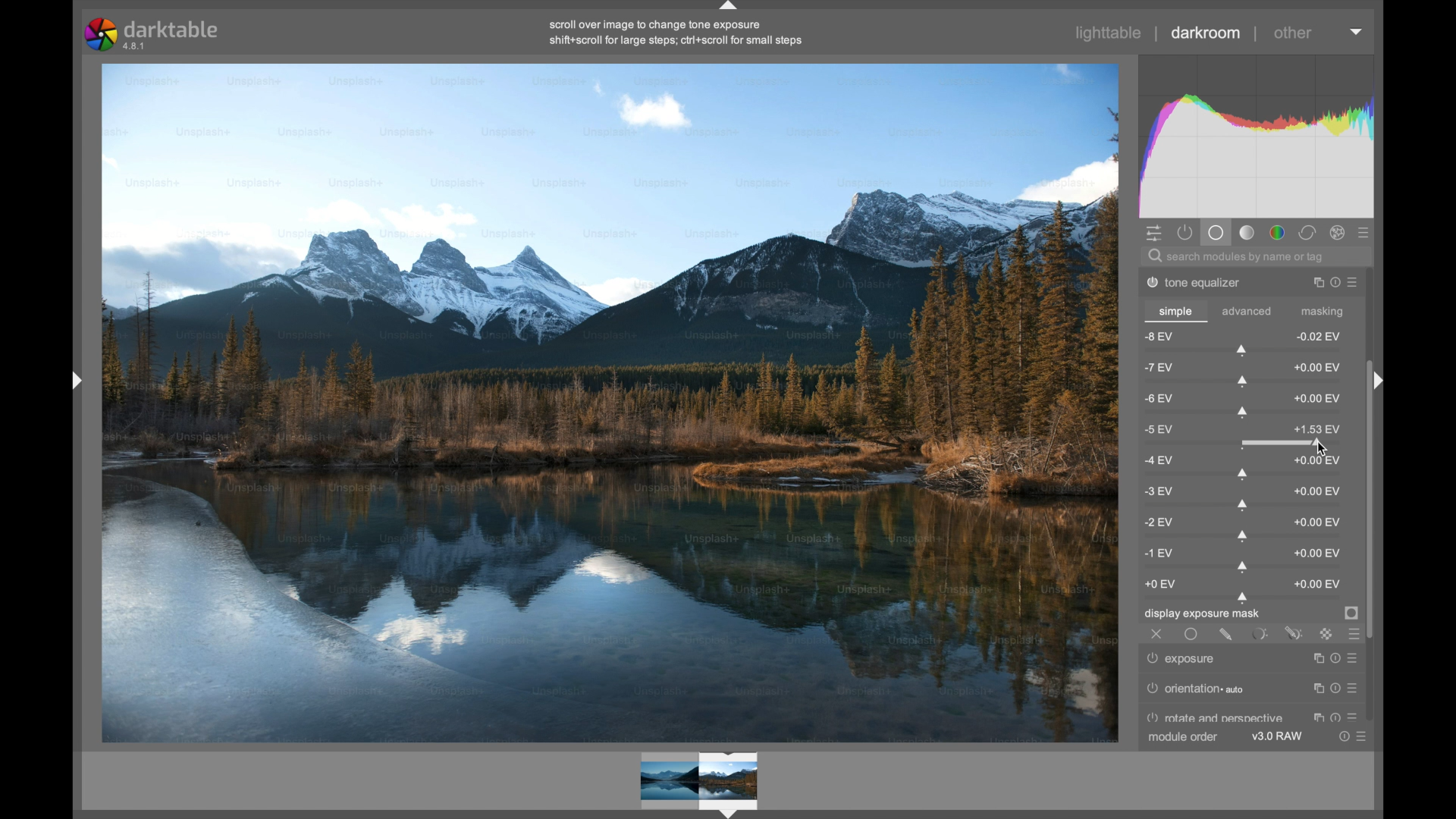 This screenshot has width=1456, height=819. Describe the element at coordinates (1324, 312) in the screenshot. I see `masking` at that location.